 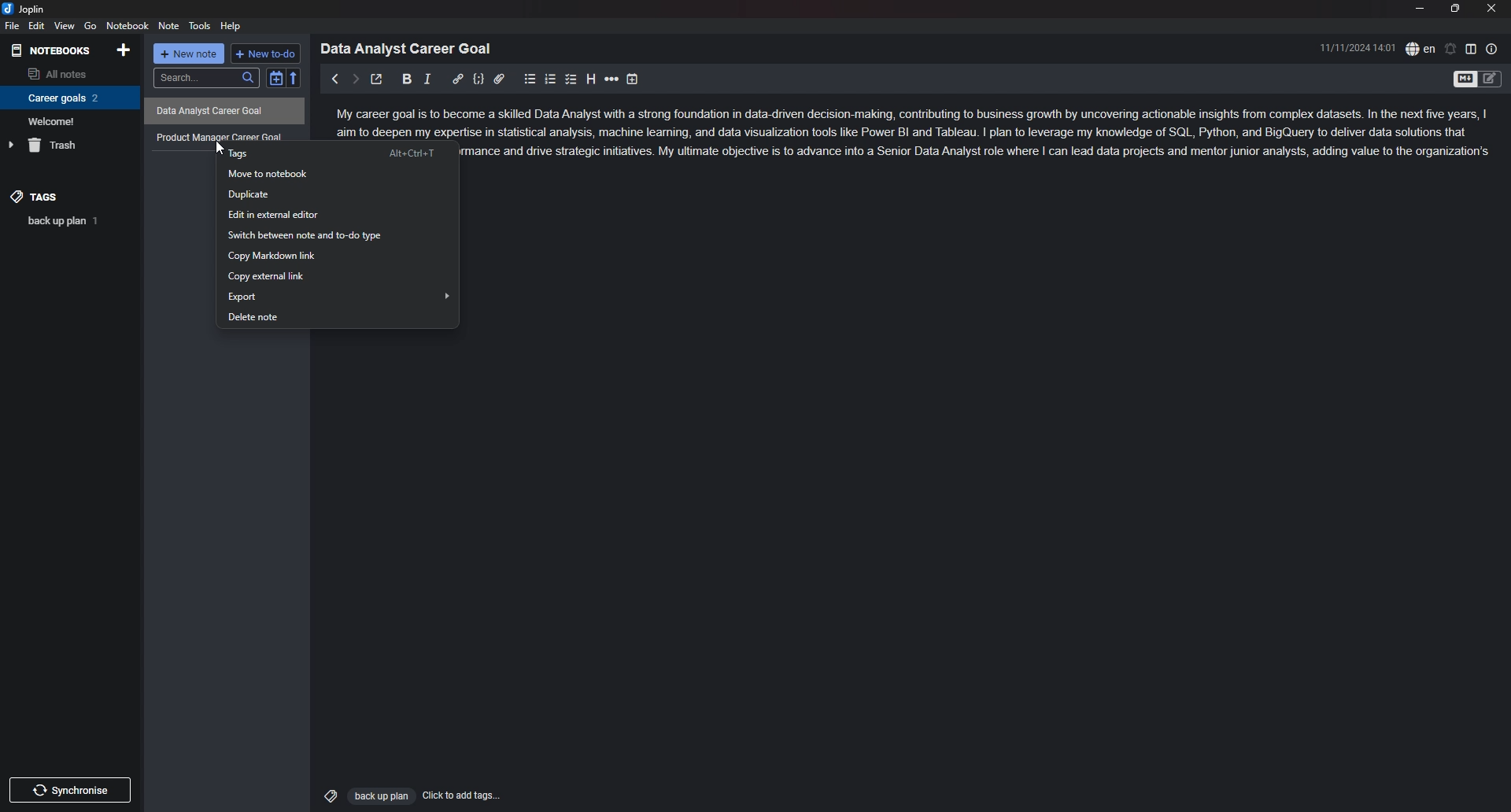 I want to click on edit in external editor, so click(x=338, y=214).